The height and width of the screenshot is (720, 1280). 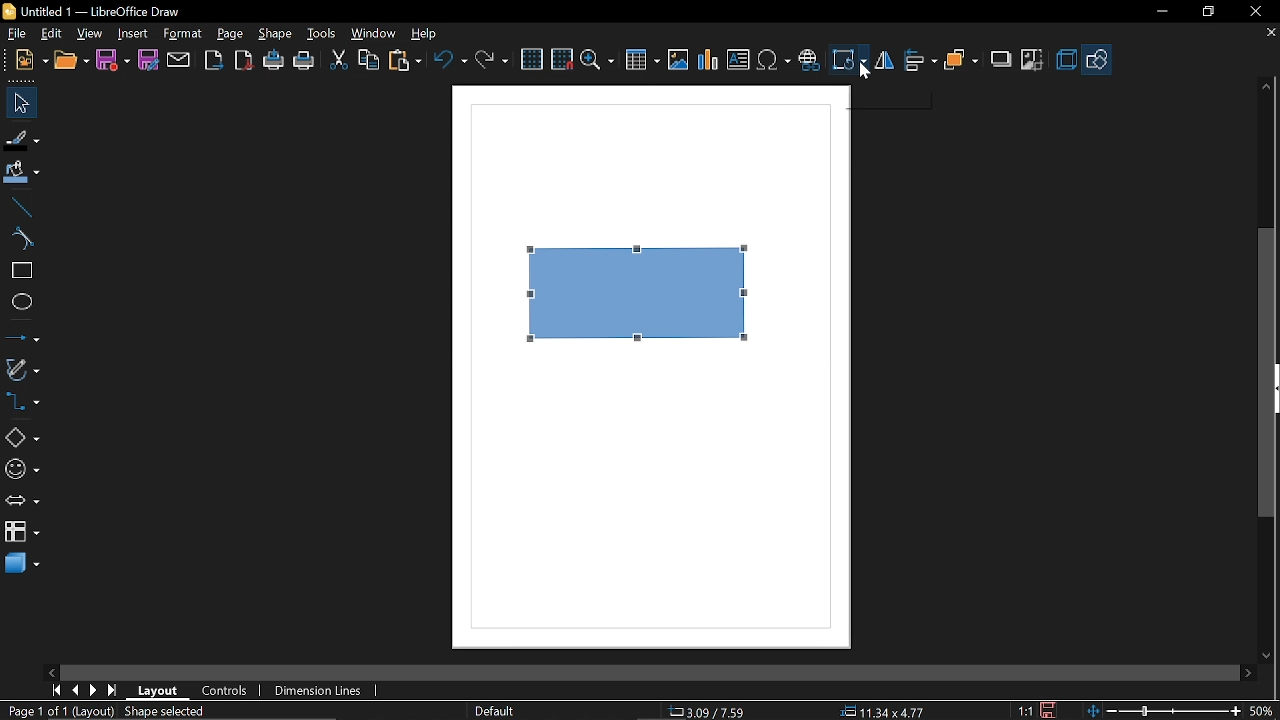 What do you see at coordinates (91, 10) in the screenshot?
I see `Untitled 1 - LibreOffice Draw` at bounding box center [91, 10].